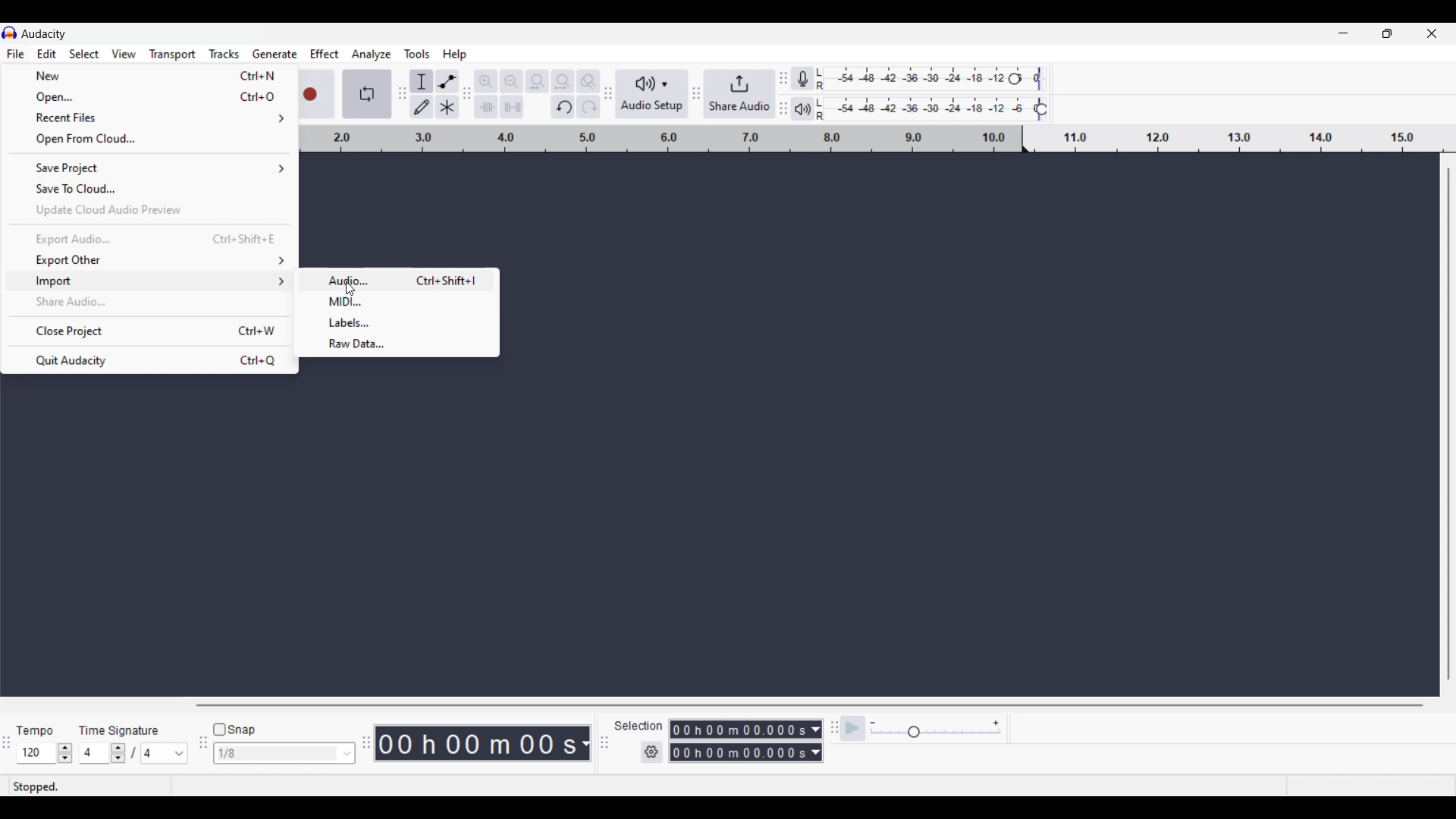 The image size is (1456, 819). Describe the element at coordinates (275, 54) in the screenshot. I see `Generate menu` at that location.